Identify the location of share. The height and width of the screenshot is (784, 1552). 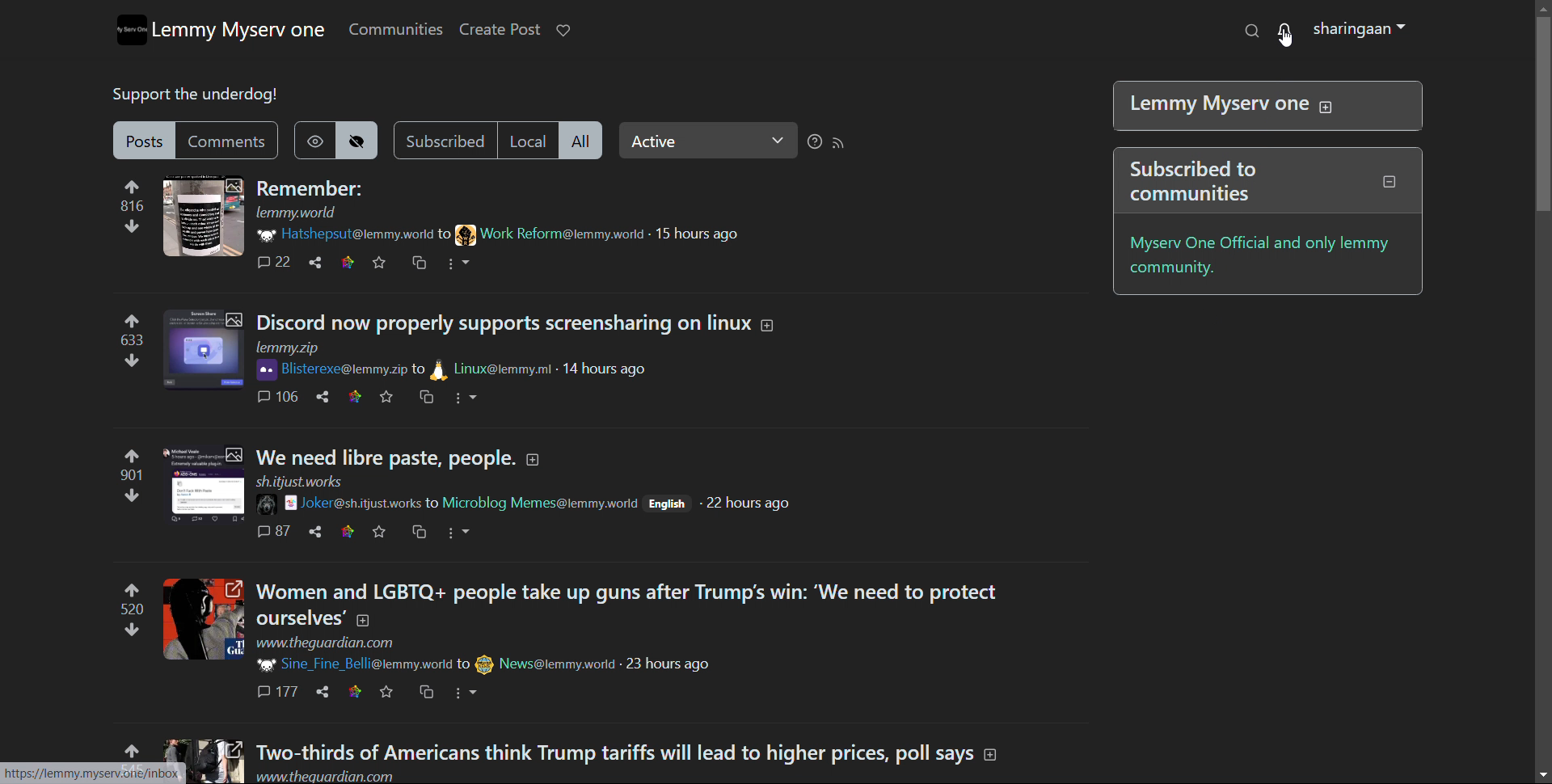
(322, 396).